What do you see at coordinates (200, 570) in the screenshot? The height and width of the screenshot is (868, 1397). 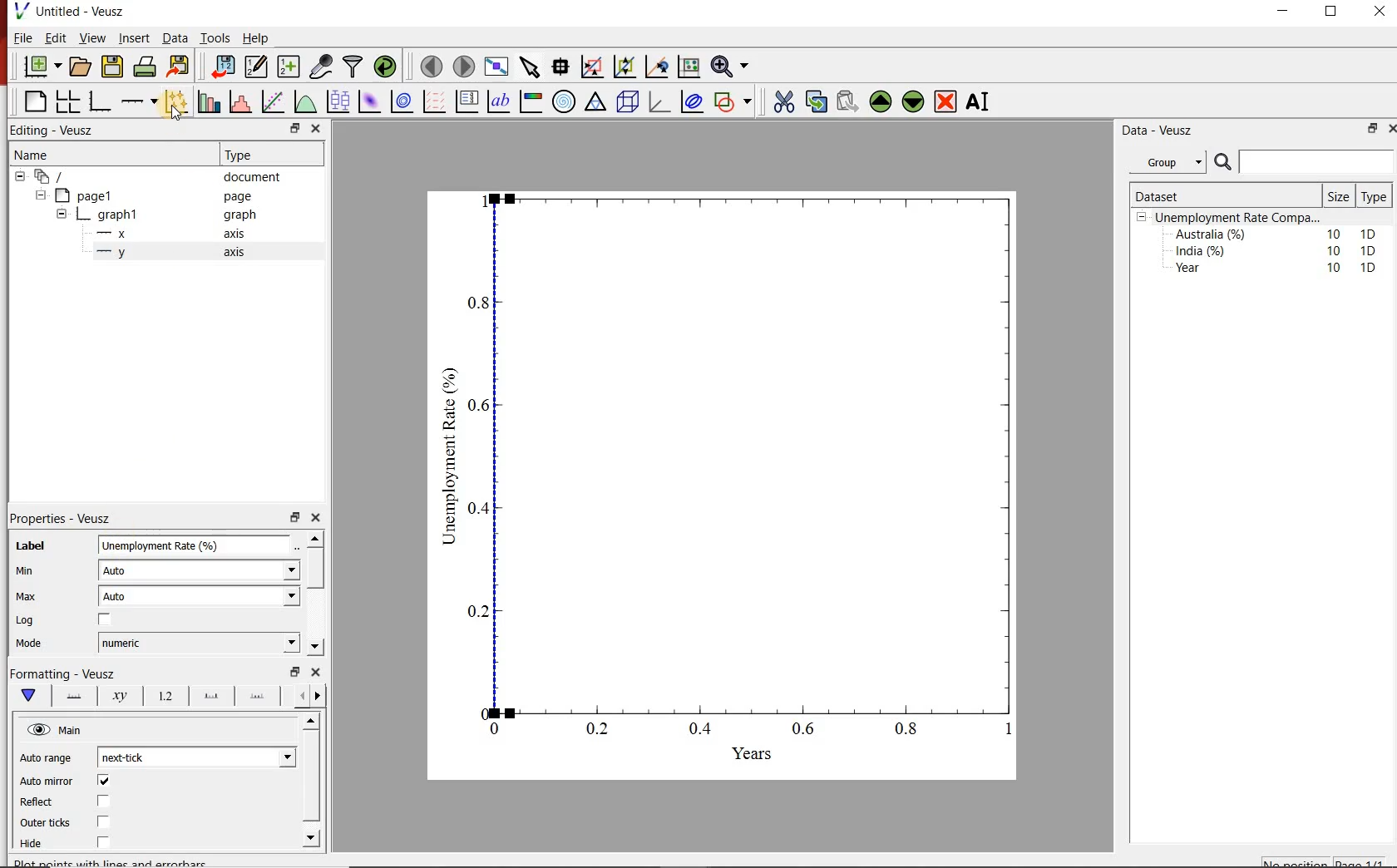 I see `Auto` at bounding box center [200, 570].